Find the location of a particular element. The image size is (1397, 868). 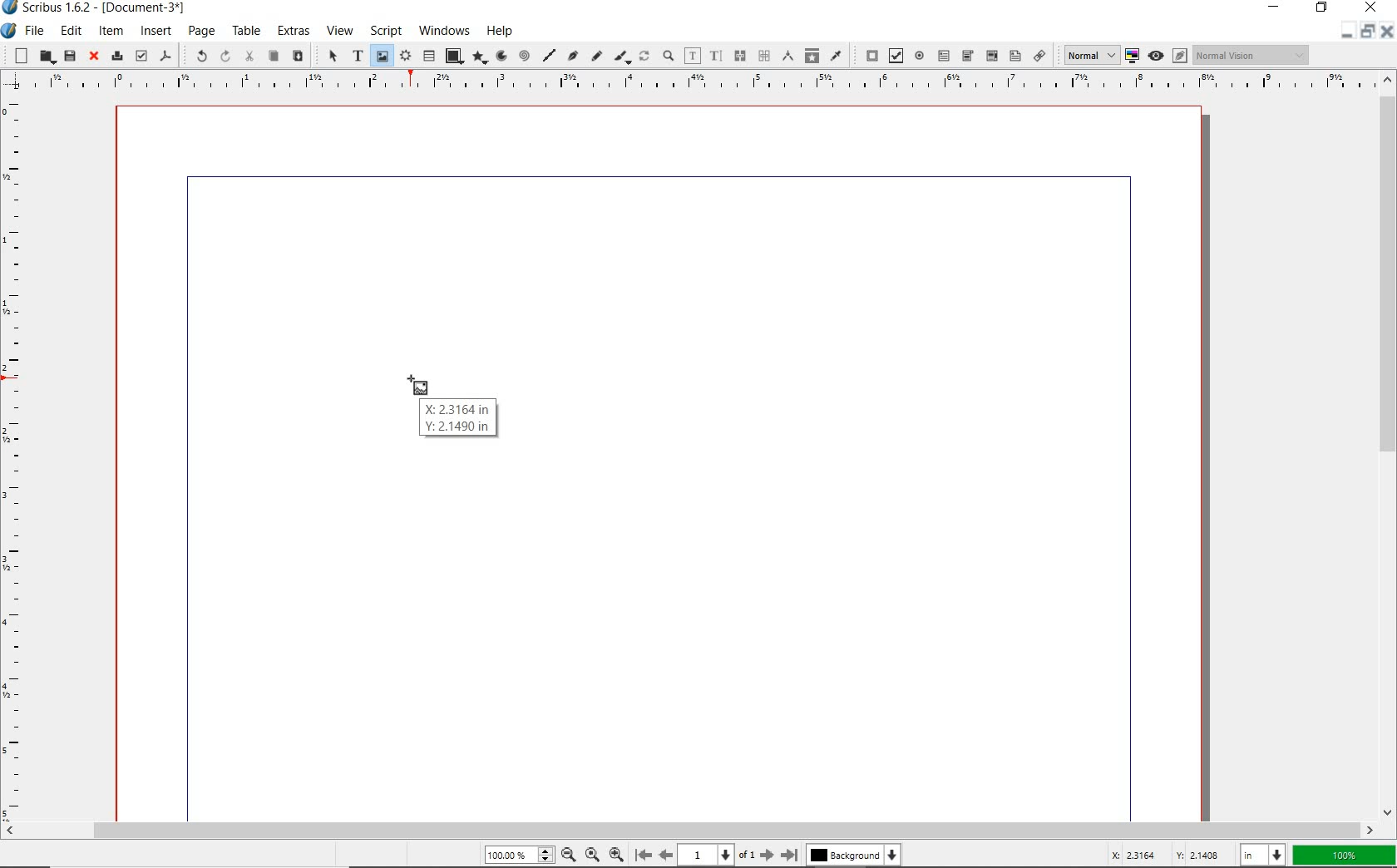

select image preview quality is located at coordinates (1089, 56).